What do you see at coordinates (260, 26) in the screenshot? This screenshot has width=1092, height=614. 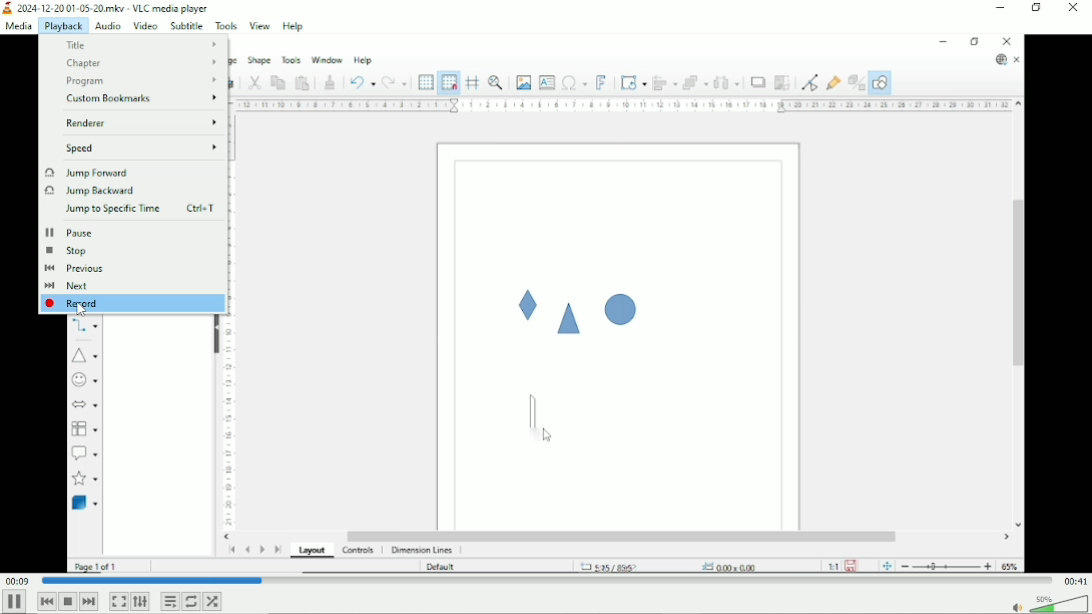 I see `View` at bounding box center [260, 26].